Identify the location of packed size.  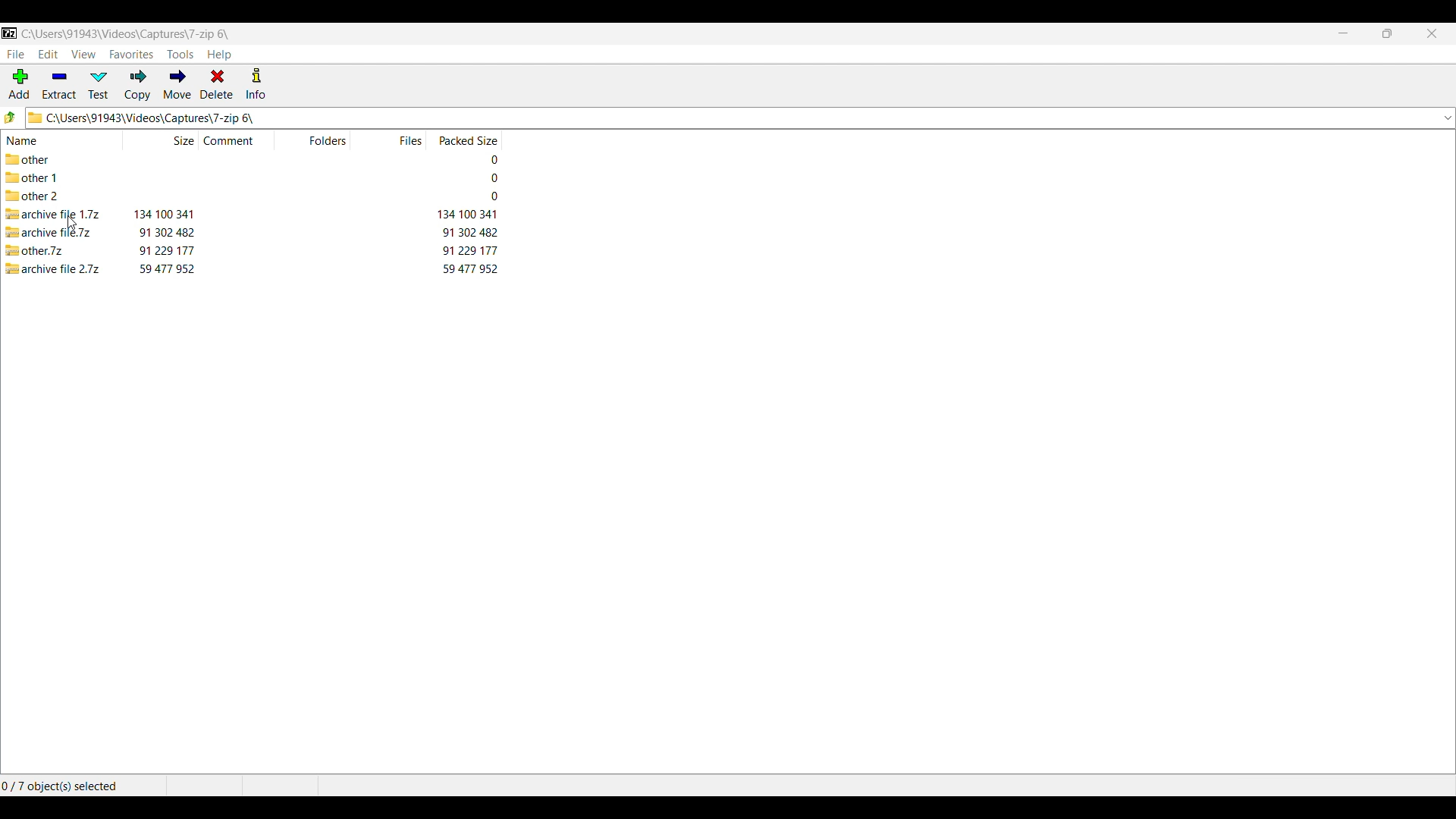
(470, 249).